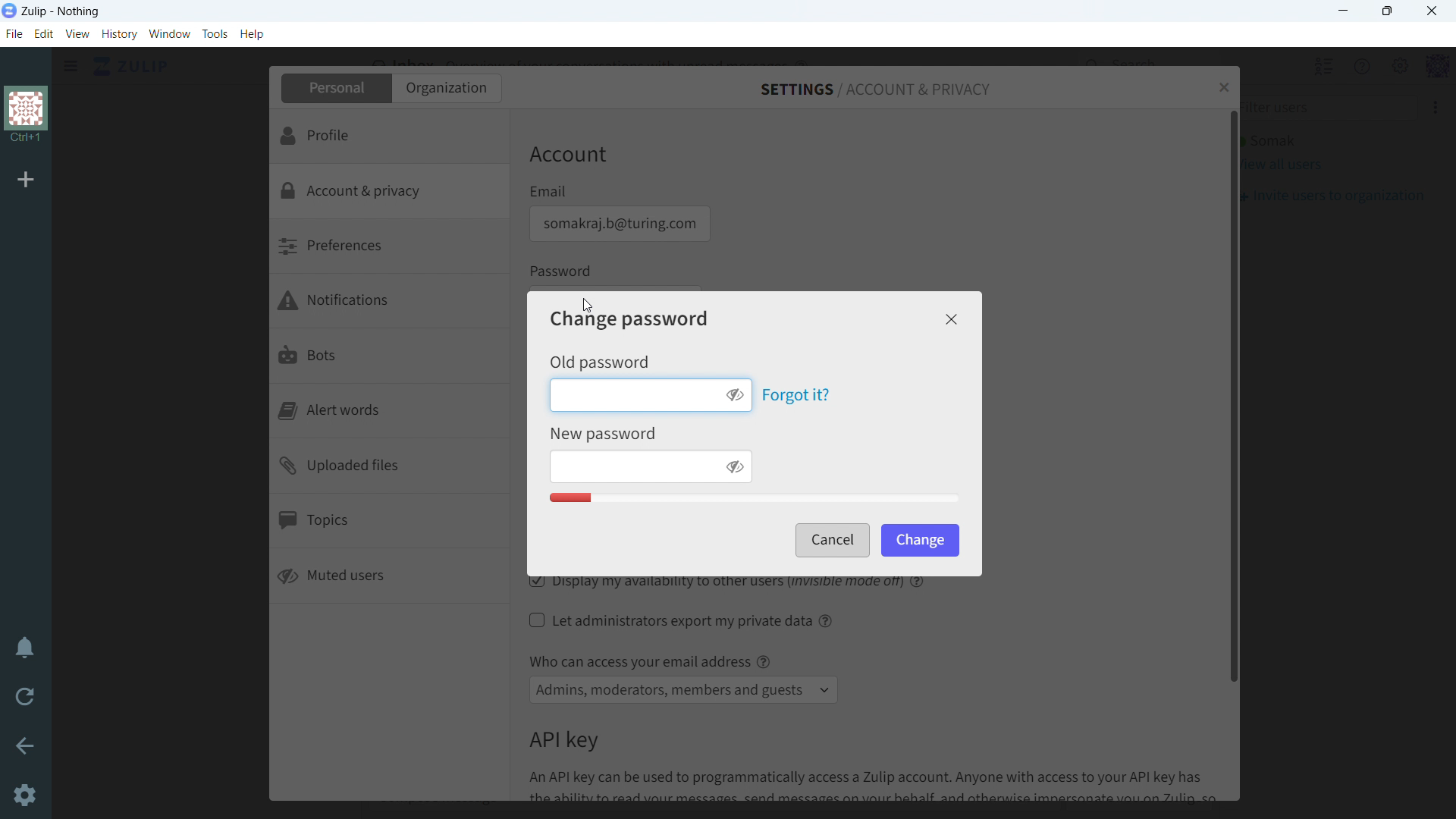  What do you see at coordinates (1386, 11) in the screenshot?
I see `maximize` at bounding box center [1386, 11].